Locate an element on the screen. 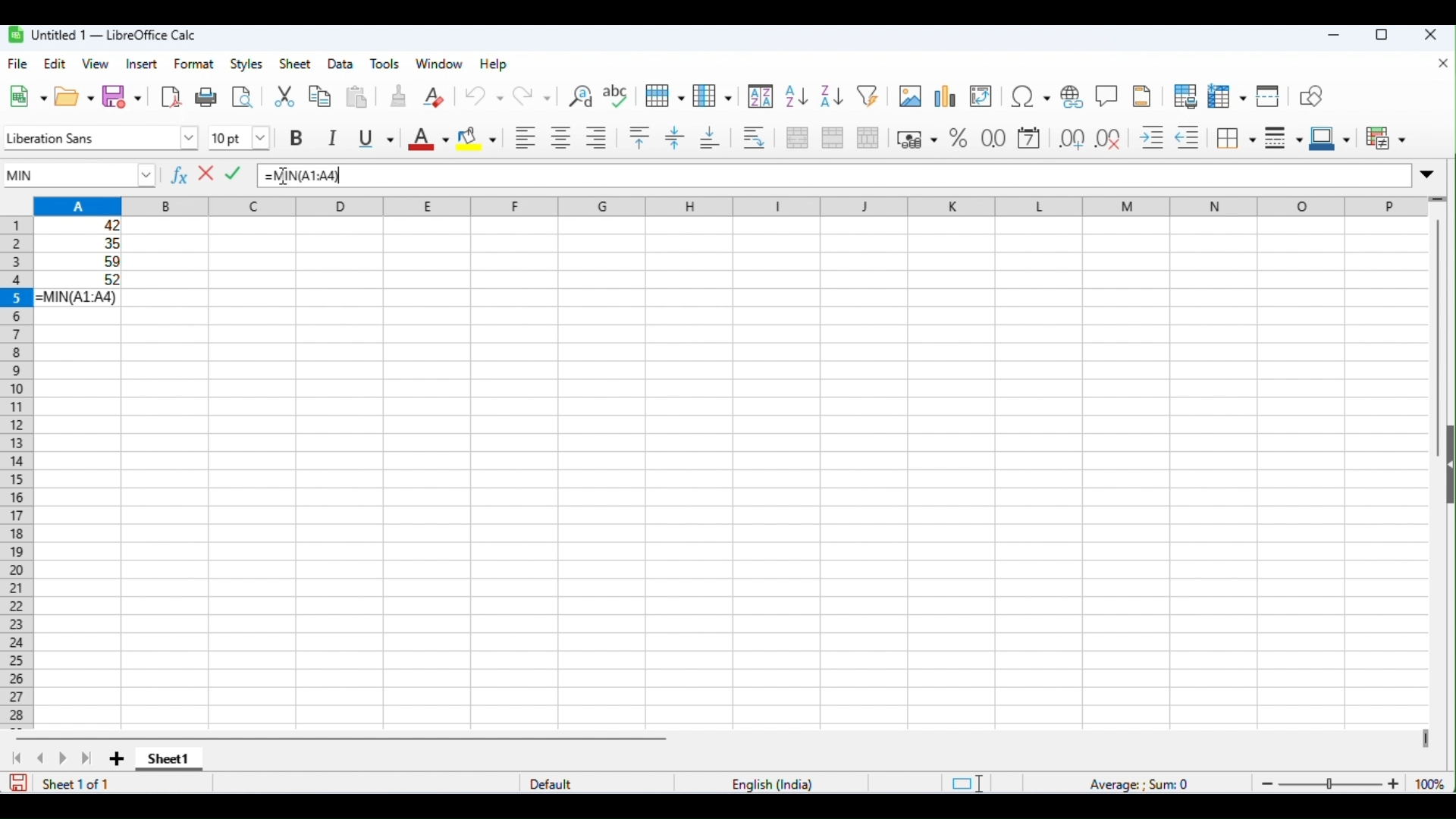 The width and height of the screenshot is (1456, 819). paste is located at coordinates (359, 98).